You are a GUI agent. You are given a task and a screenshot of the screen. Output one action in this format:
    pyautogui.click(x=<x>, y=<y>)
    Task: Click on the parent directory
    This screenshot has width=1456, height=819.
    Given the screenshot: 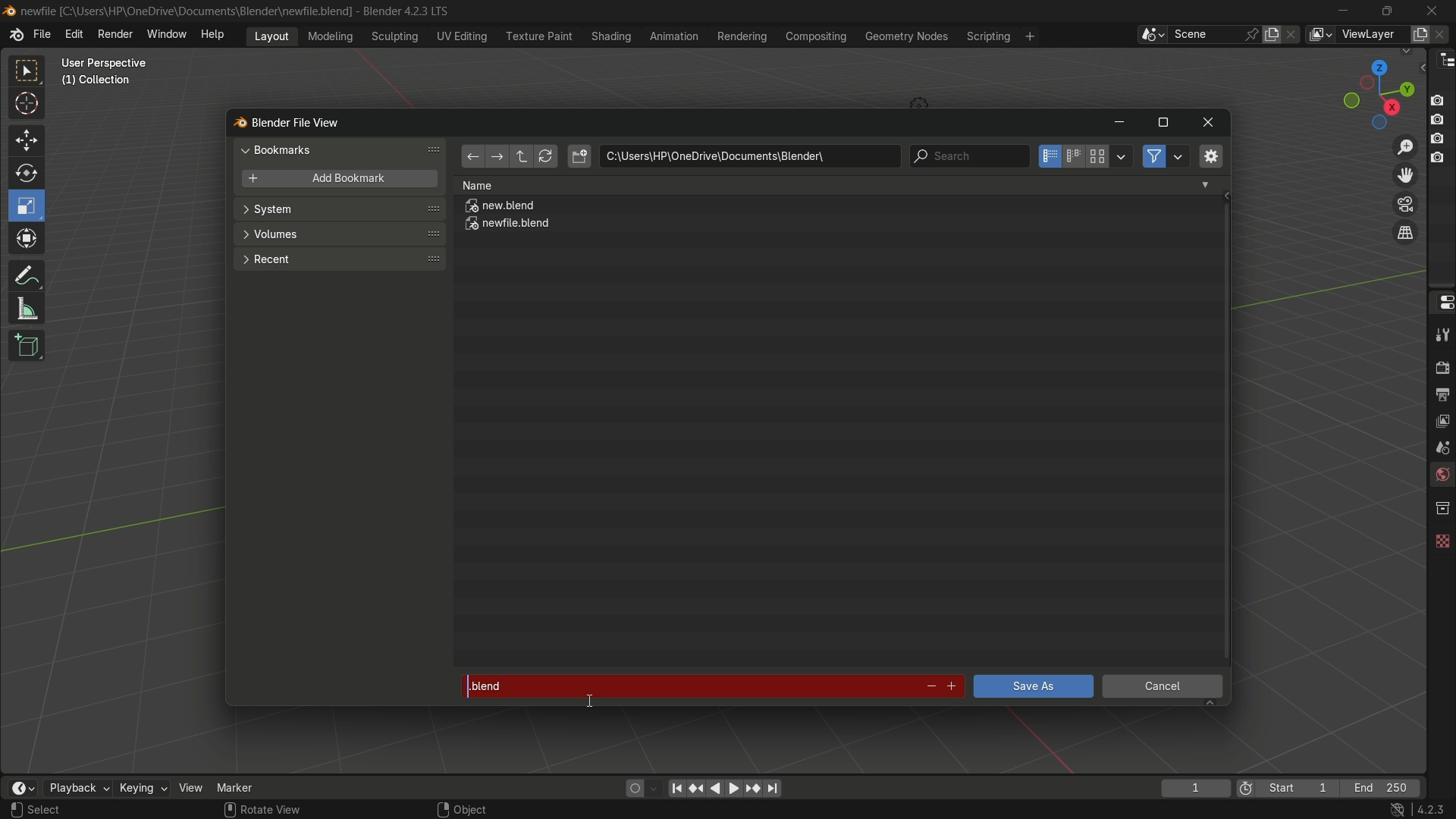 What is the action you would take?
    pyautogui.click(x=523, y=156)
    